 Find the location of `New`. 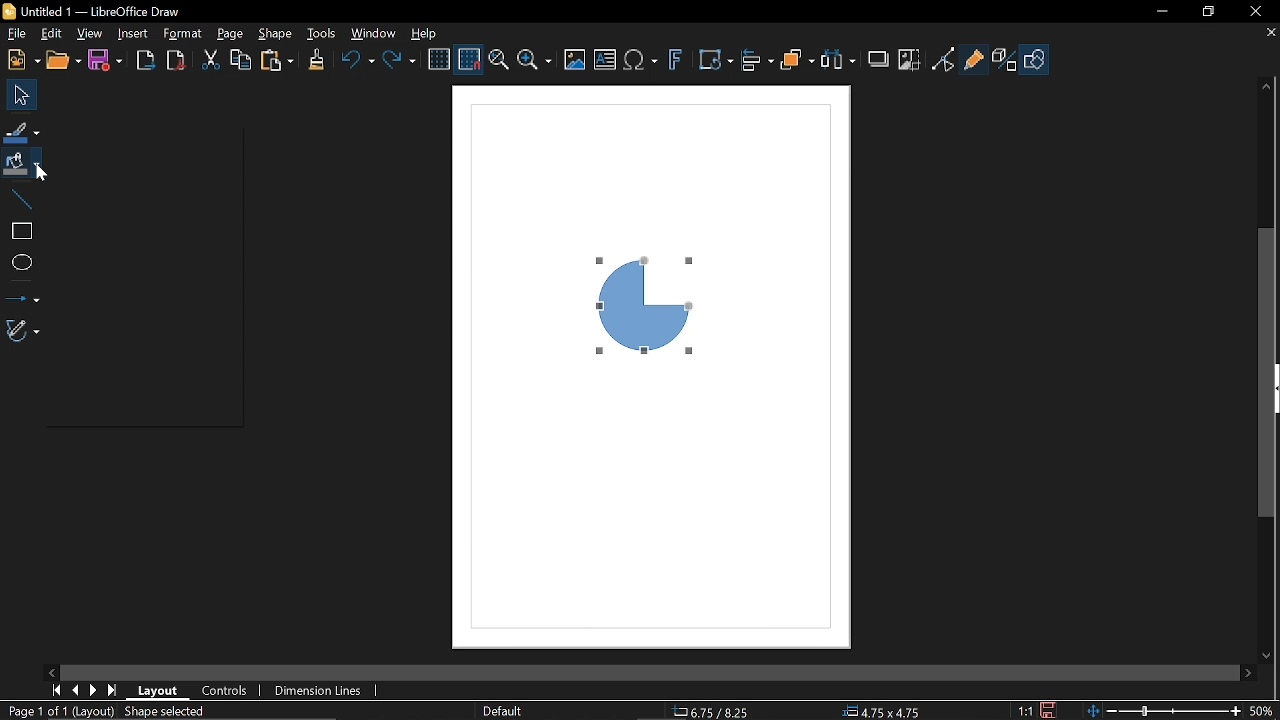

New is located at coordinates (21, 60).